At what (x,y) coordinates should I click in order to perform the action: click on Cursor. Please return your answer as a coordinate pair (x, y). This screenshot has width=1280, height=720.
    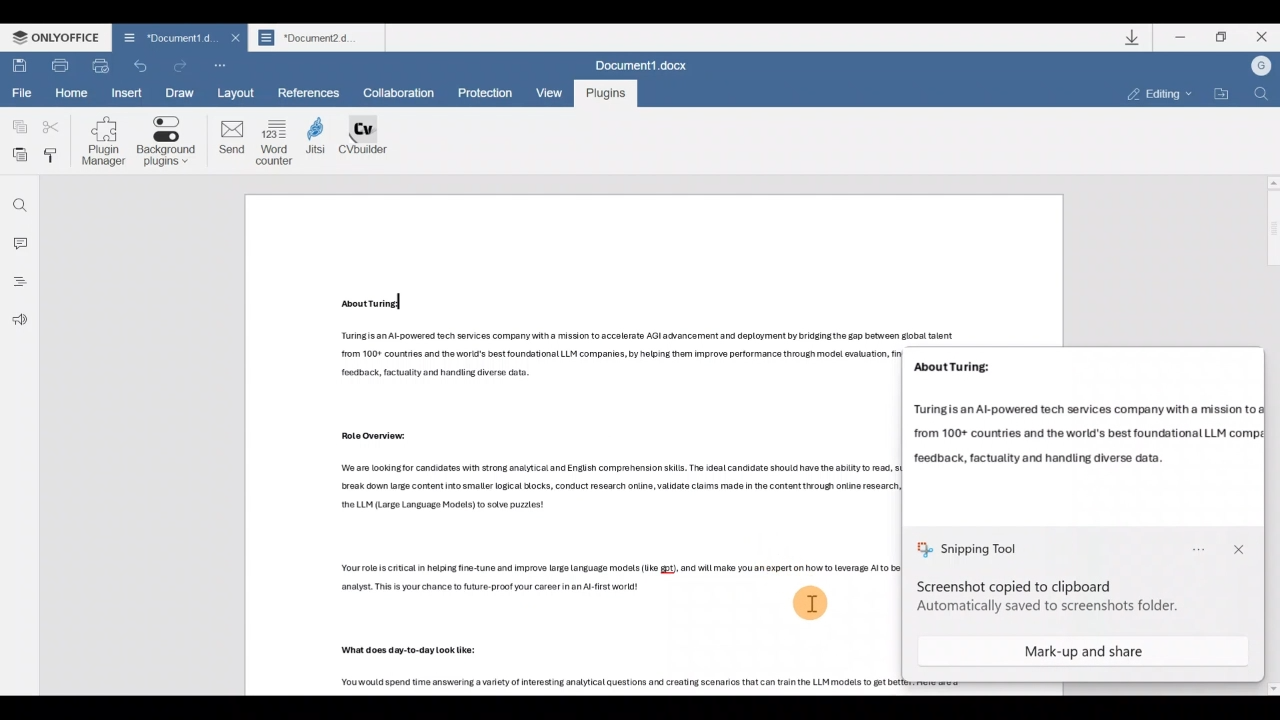
    Looking at the image, I should click on (809, 601).